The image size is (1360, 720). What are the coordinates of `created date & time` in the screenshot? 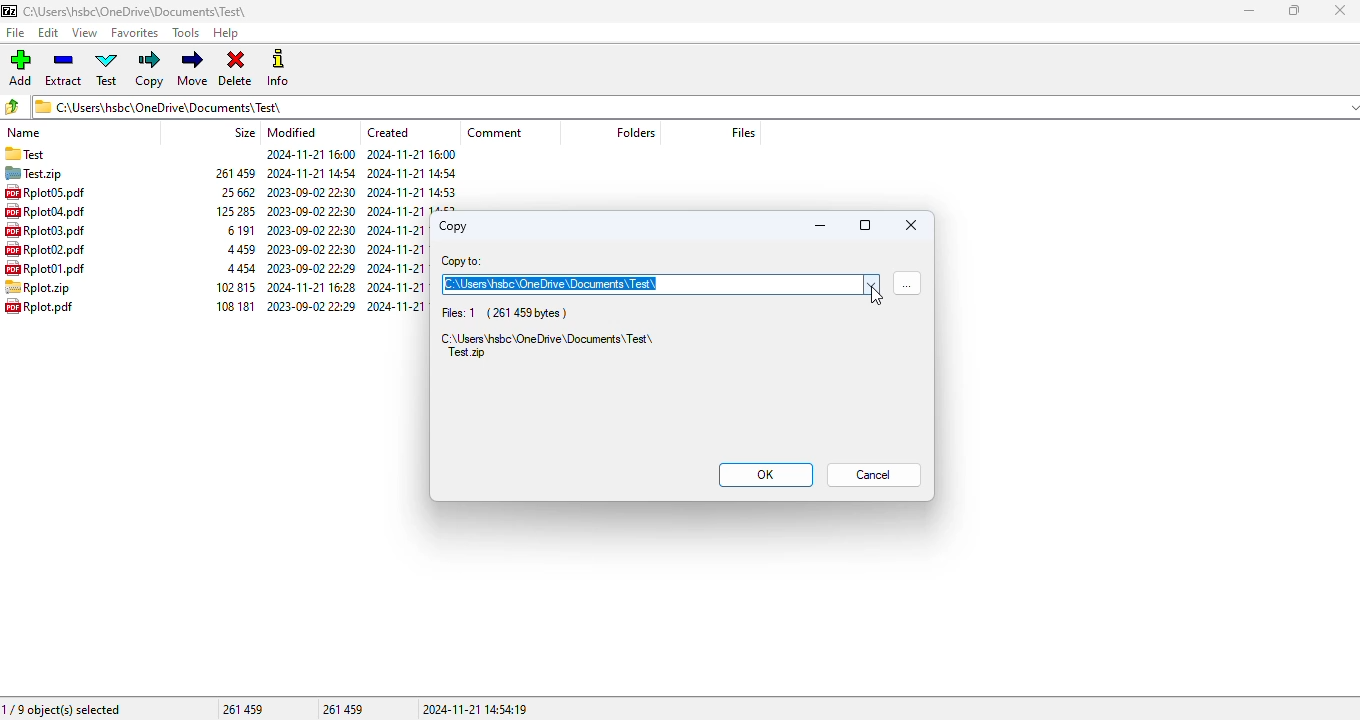 It's located at (413, 210).